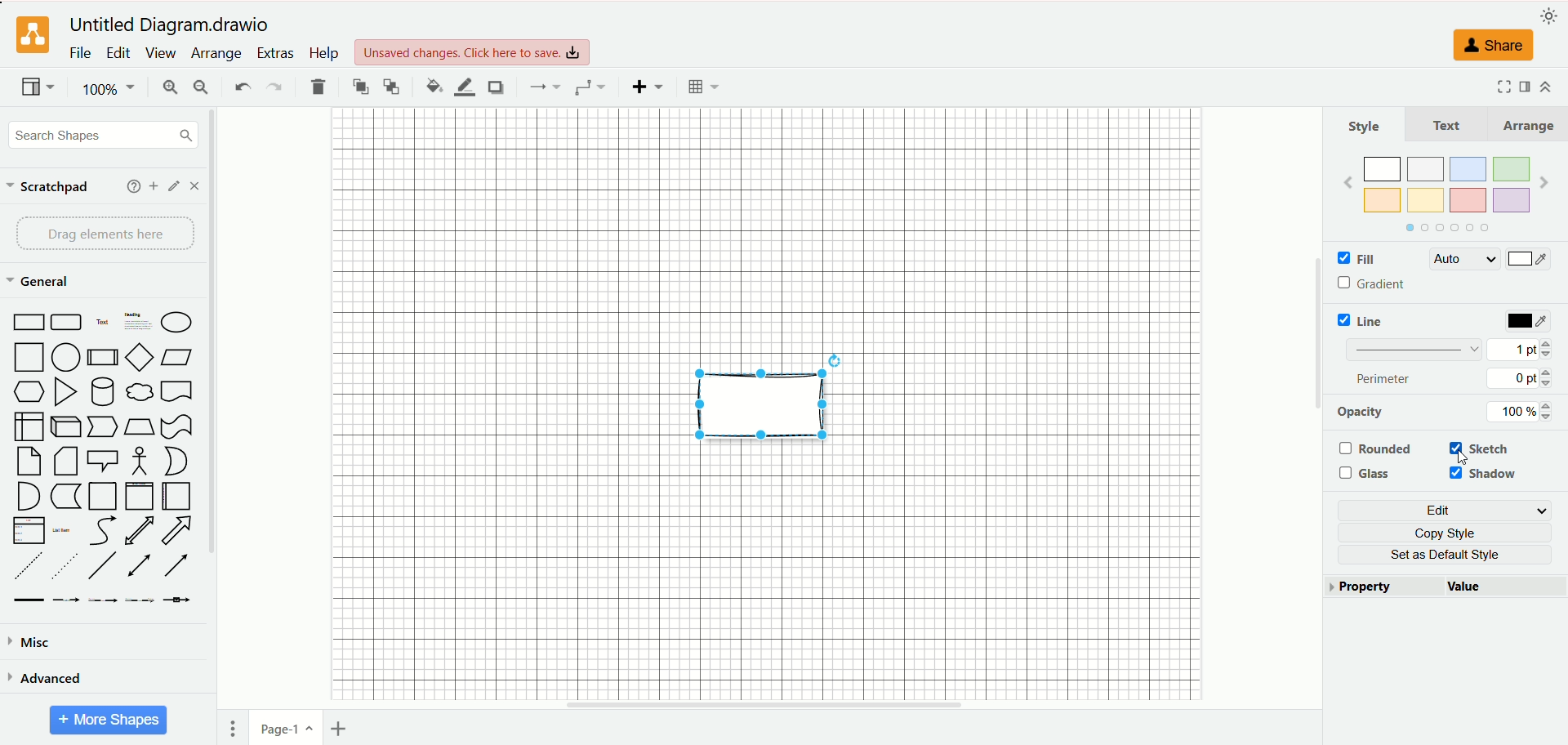  Describe the element at coordinates (194, 186) in the screenshot. I see `close` at that location.